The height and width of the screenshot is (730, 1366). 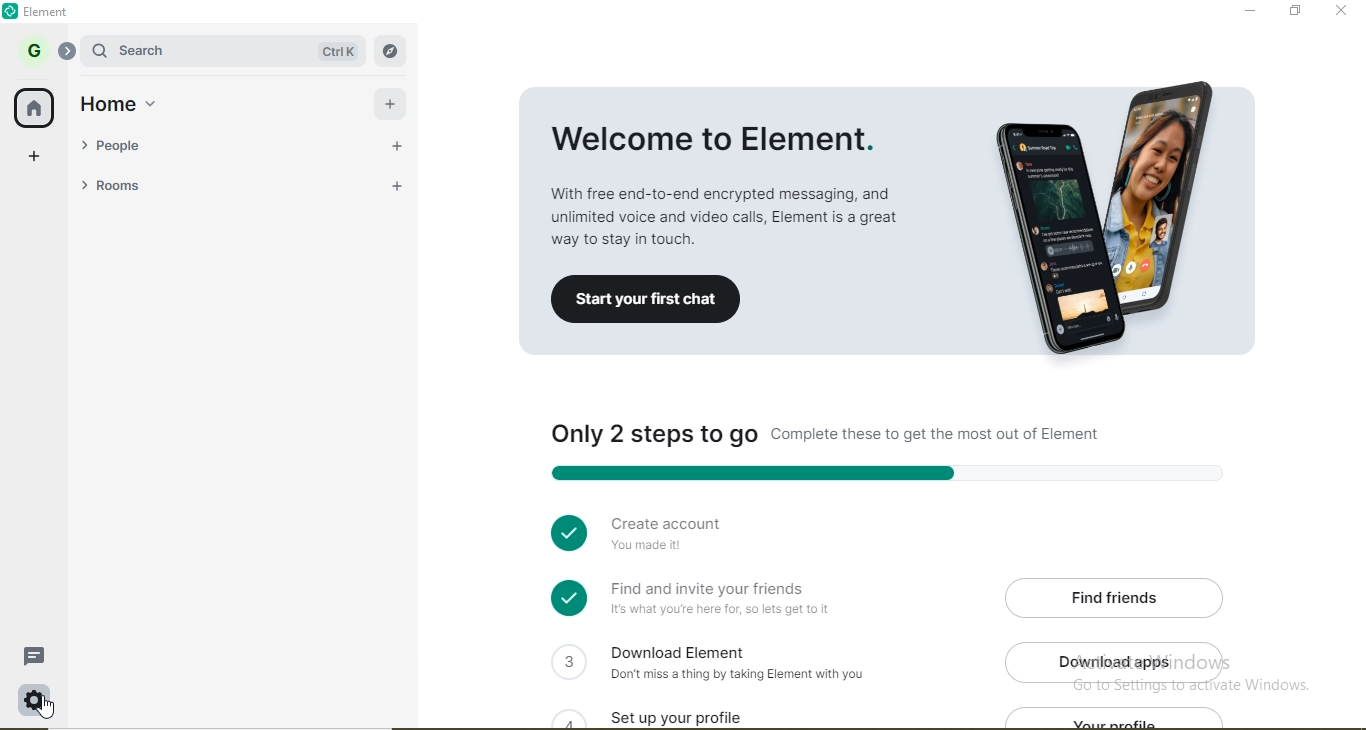 I want to click on cursor, so click(x=48, y=708).